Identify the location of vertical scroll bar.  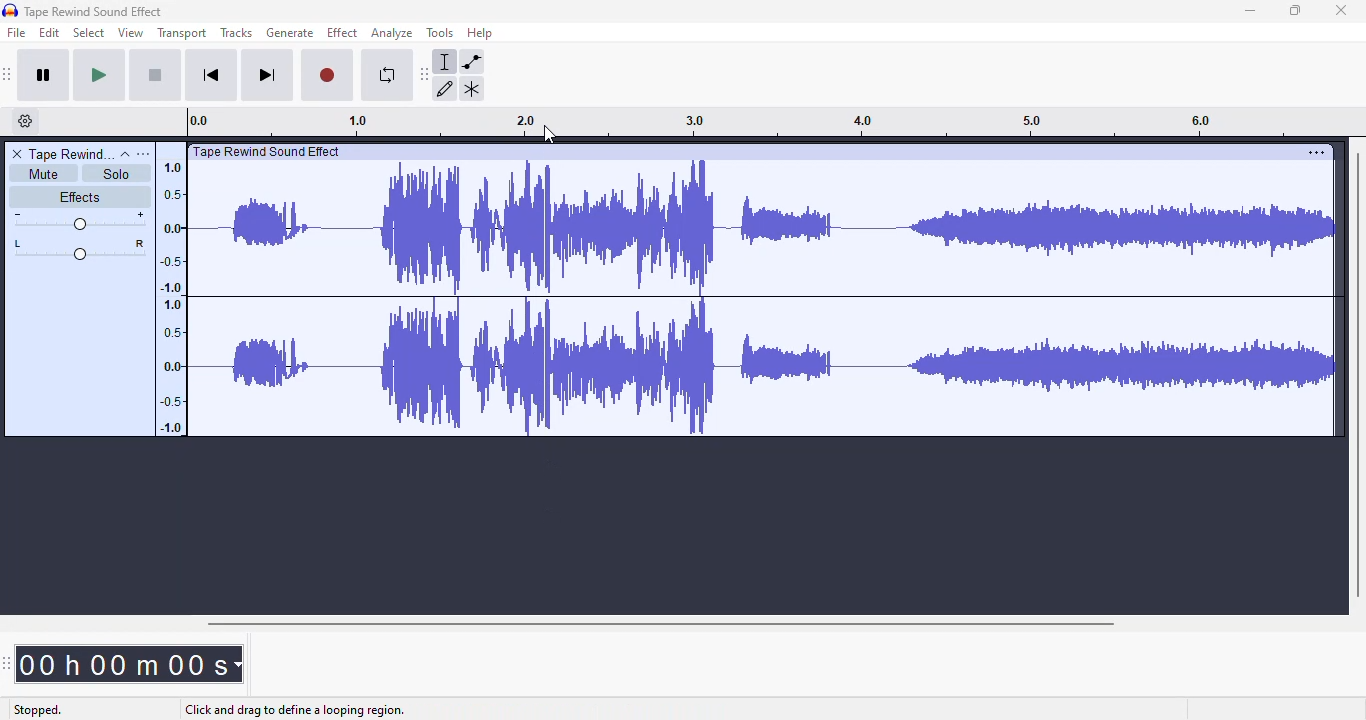
(1359, 370).